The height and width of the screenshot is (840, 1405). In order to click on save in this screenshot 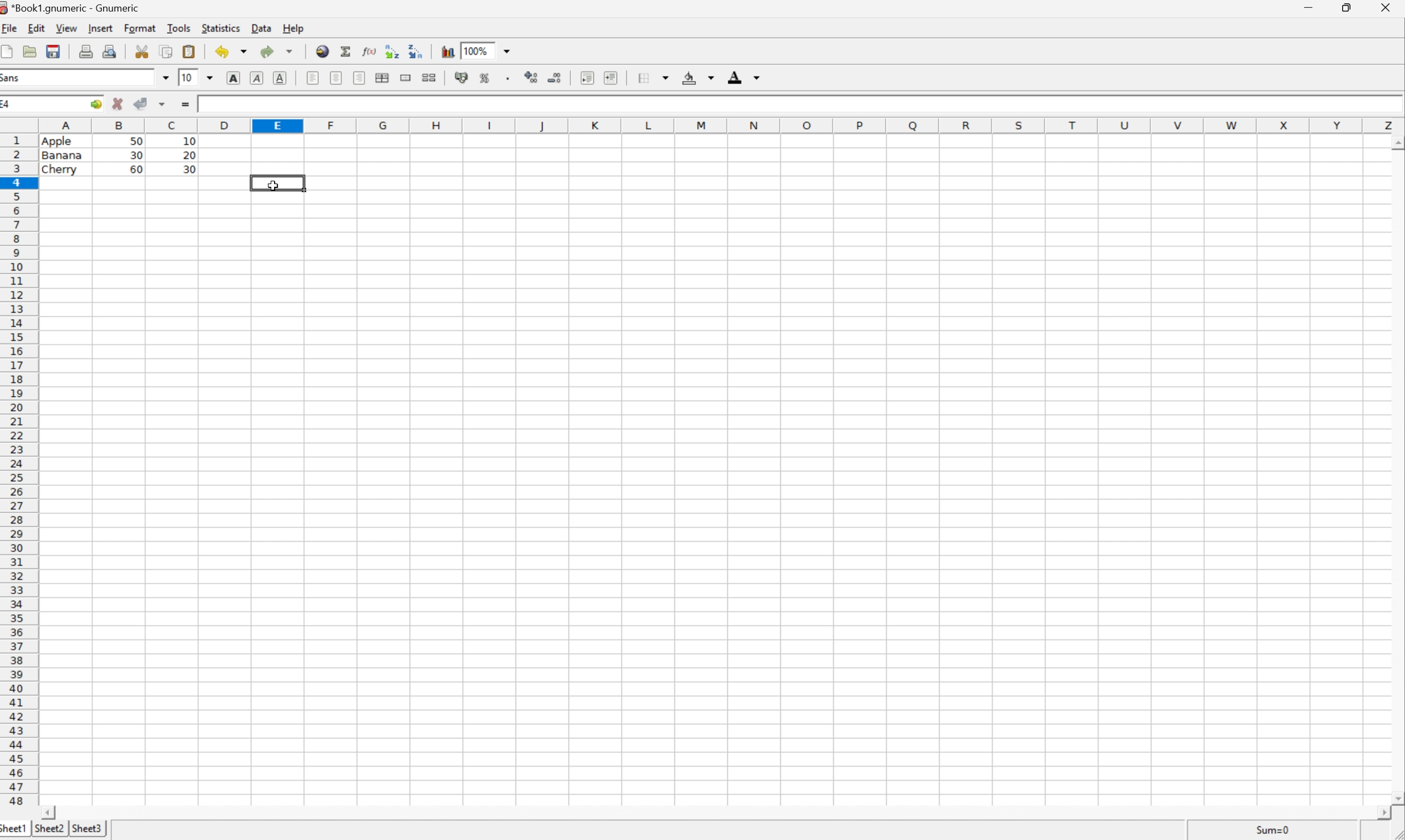, I will do `click(30, 50)`.